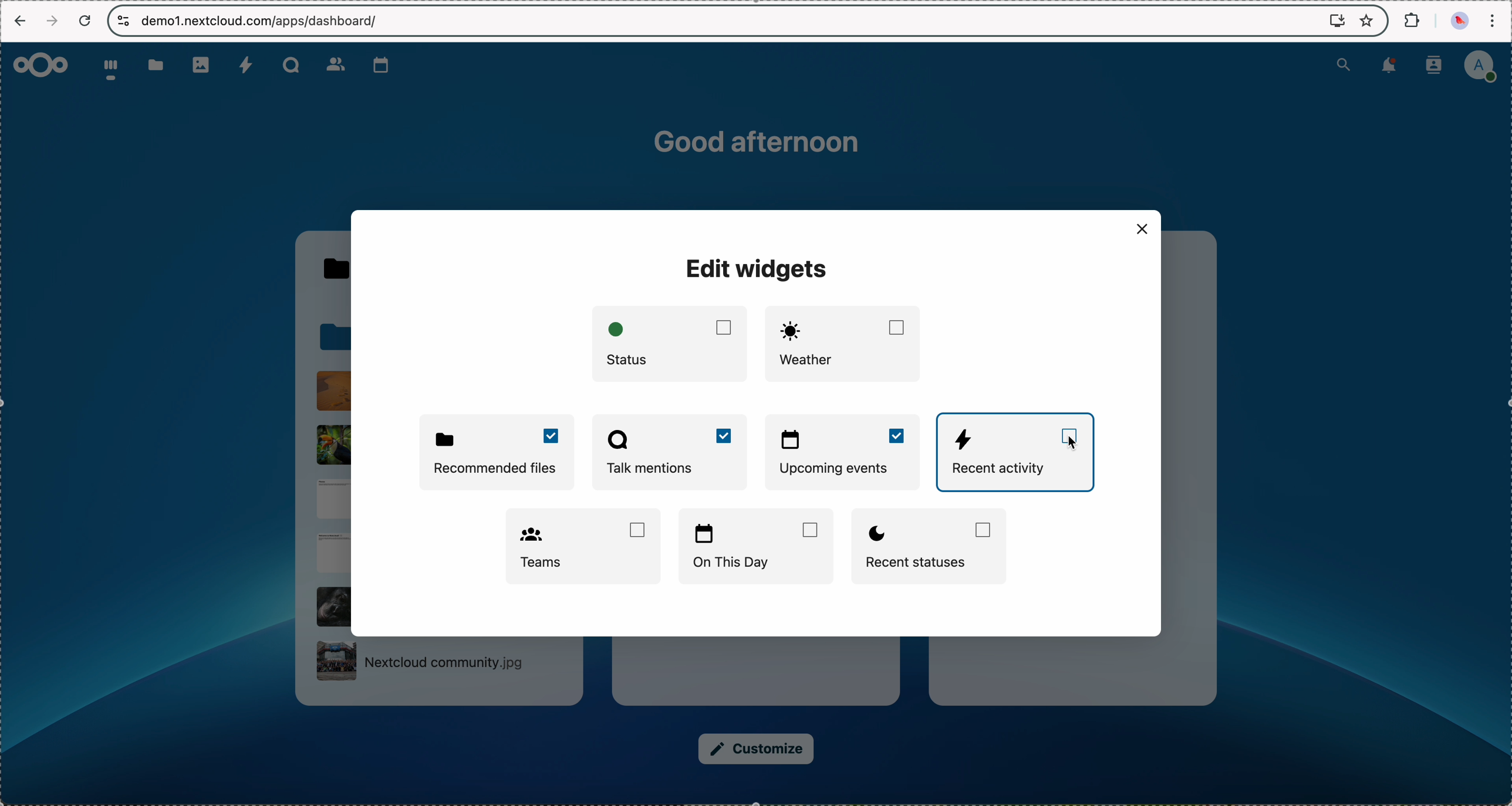 This screenshot has width=1512, height=806. I want to click on NExtcloud community, so click(423, 662).